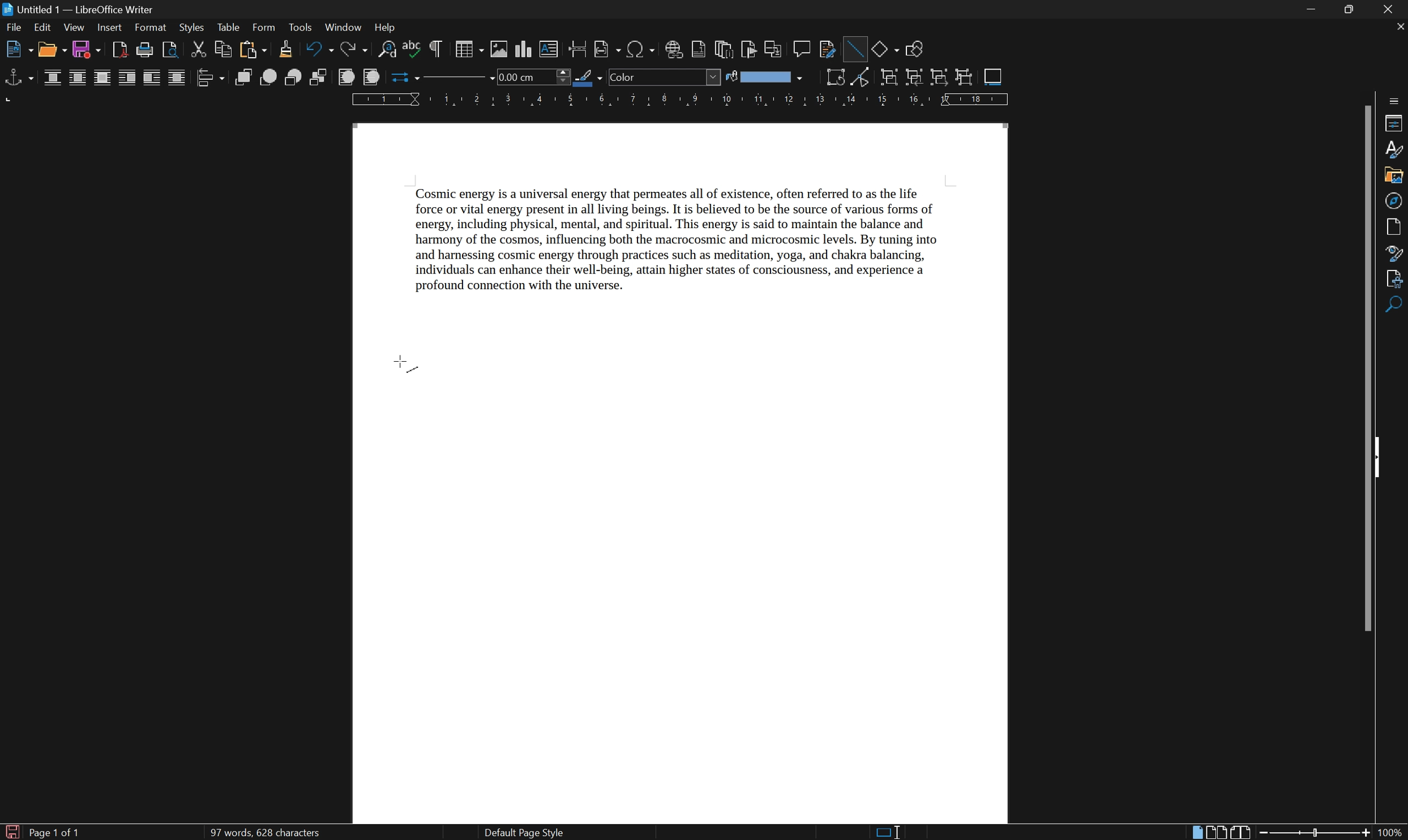 Image resolution: width=1408 pixels, height=840 pixels. Describe the element at coordinates (1393, 9) in the screenshot. I see `close` at that location.